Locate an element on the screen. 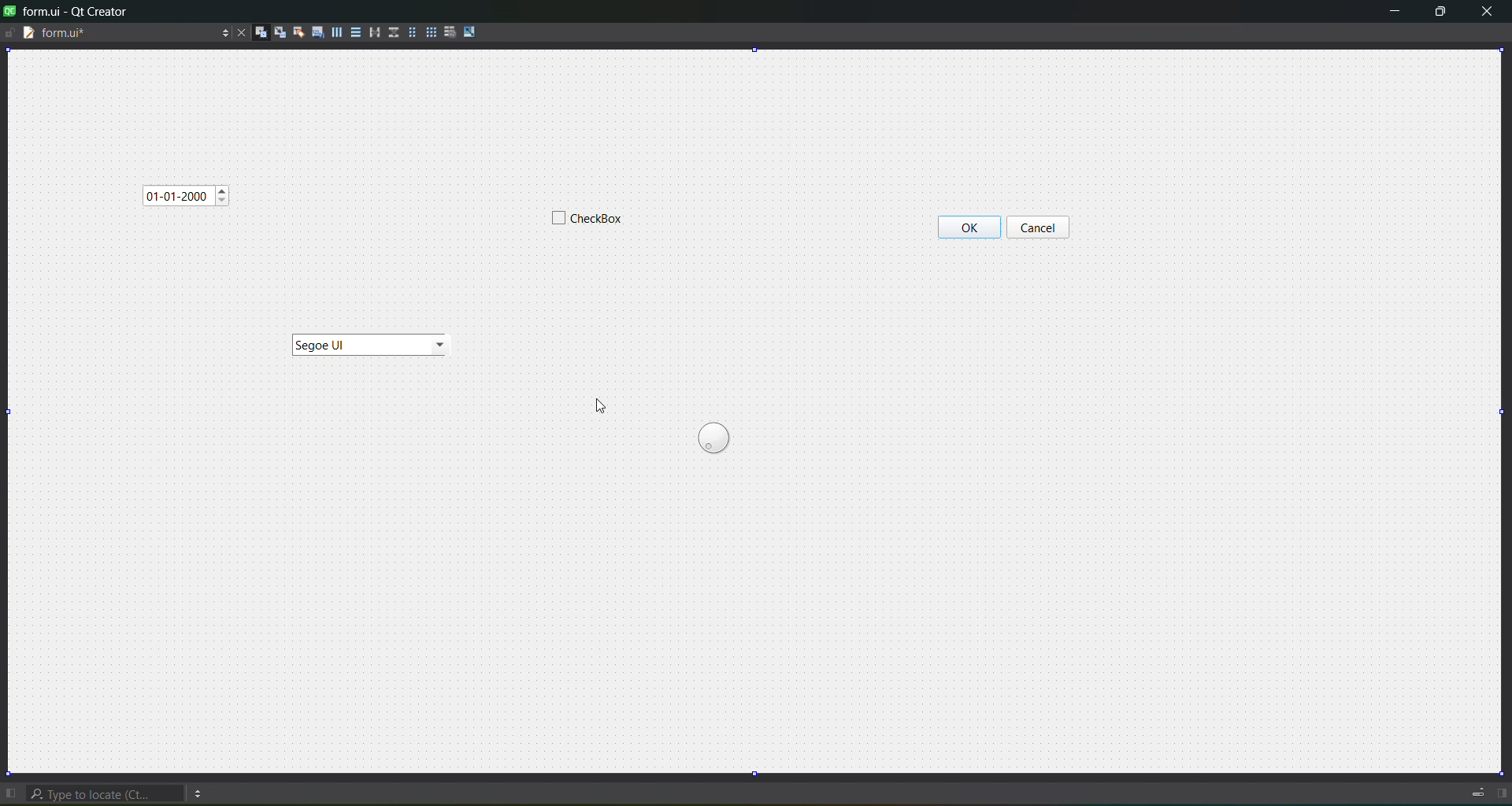 This screenshot has height=806, width=1512. horizontal is located at coordinates (332, 35).